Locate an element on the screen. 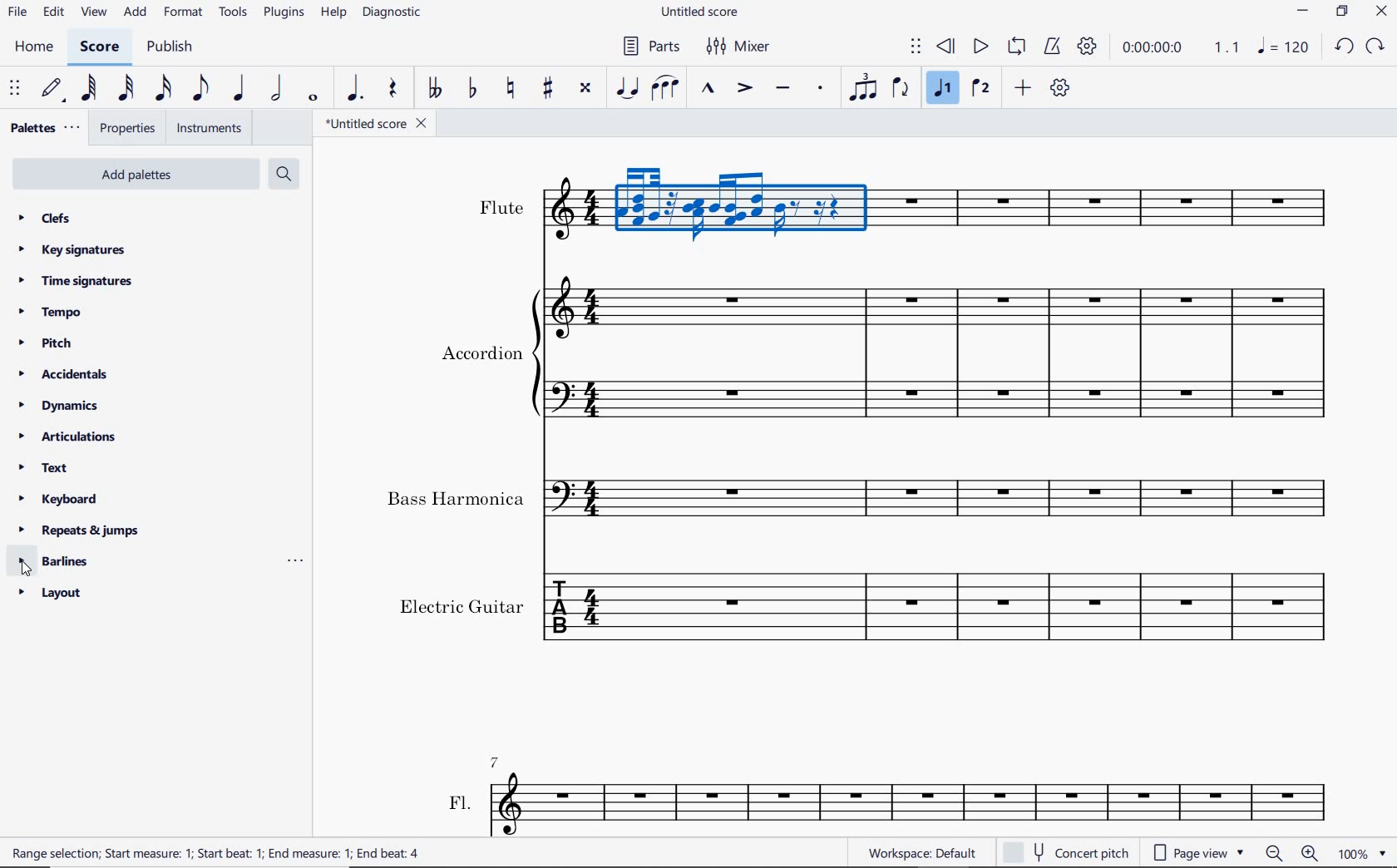 The height and width of the screenshot is (868, 1397). augmentation dot is located at coordinates (352, 89).